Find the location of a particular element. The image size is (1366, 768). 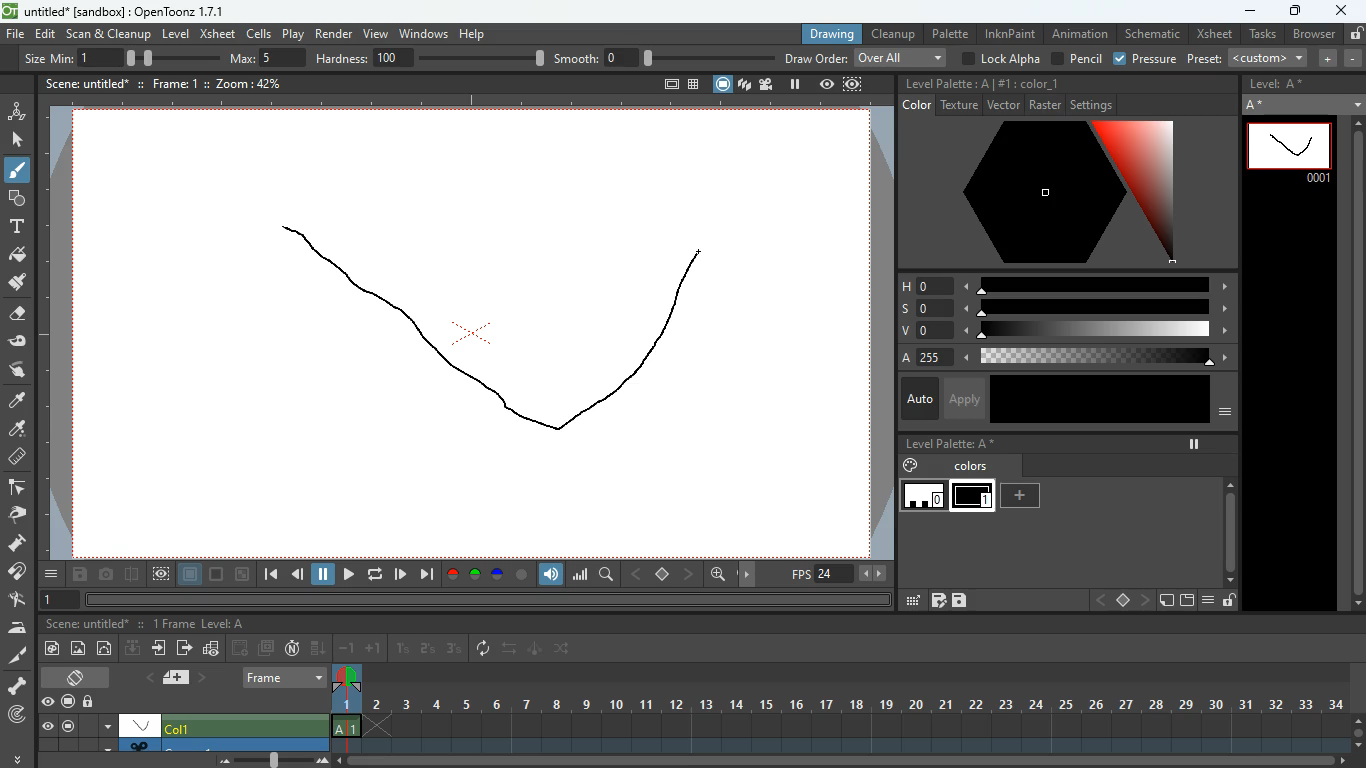

vector is located at coordinates (1002, 104).